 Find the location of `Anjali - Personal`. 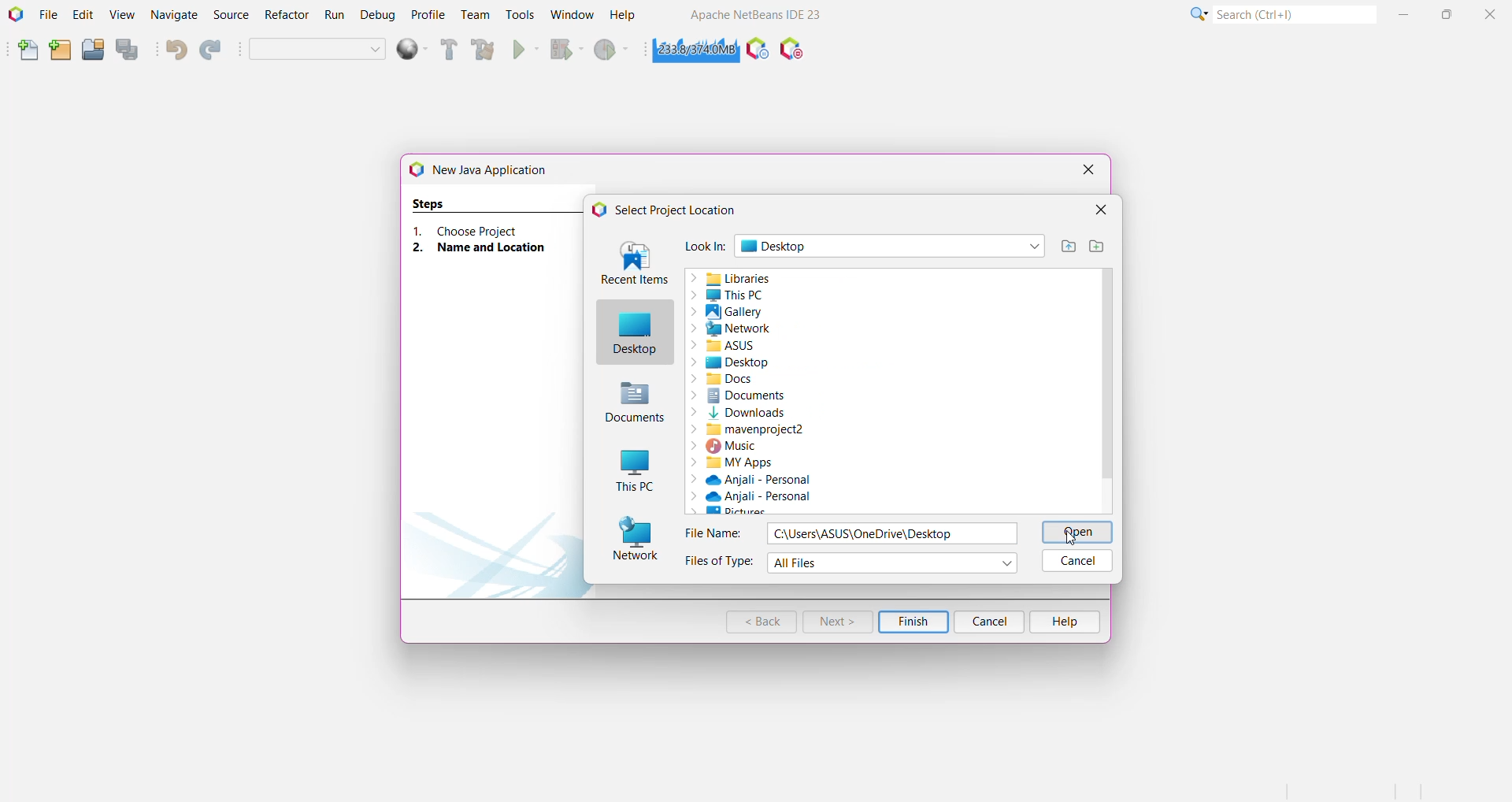

Anjali - Personal is located at coordinates (768, 480).